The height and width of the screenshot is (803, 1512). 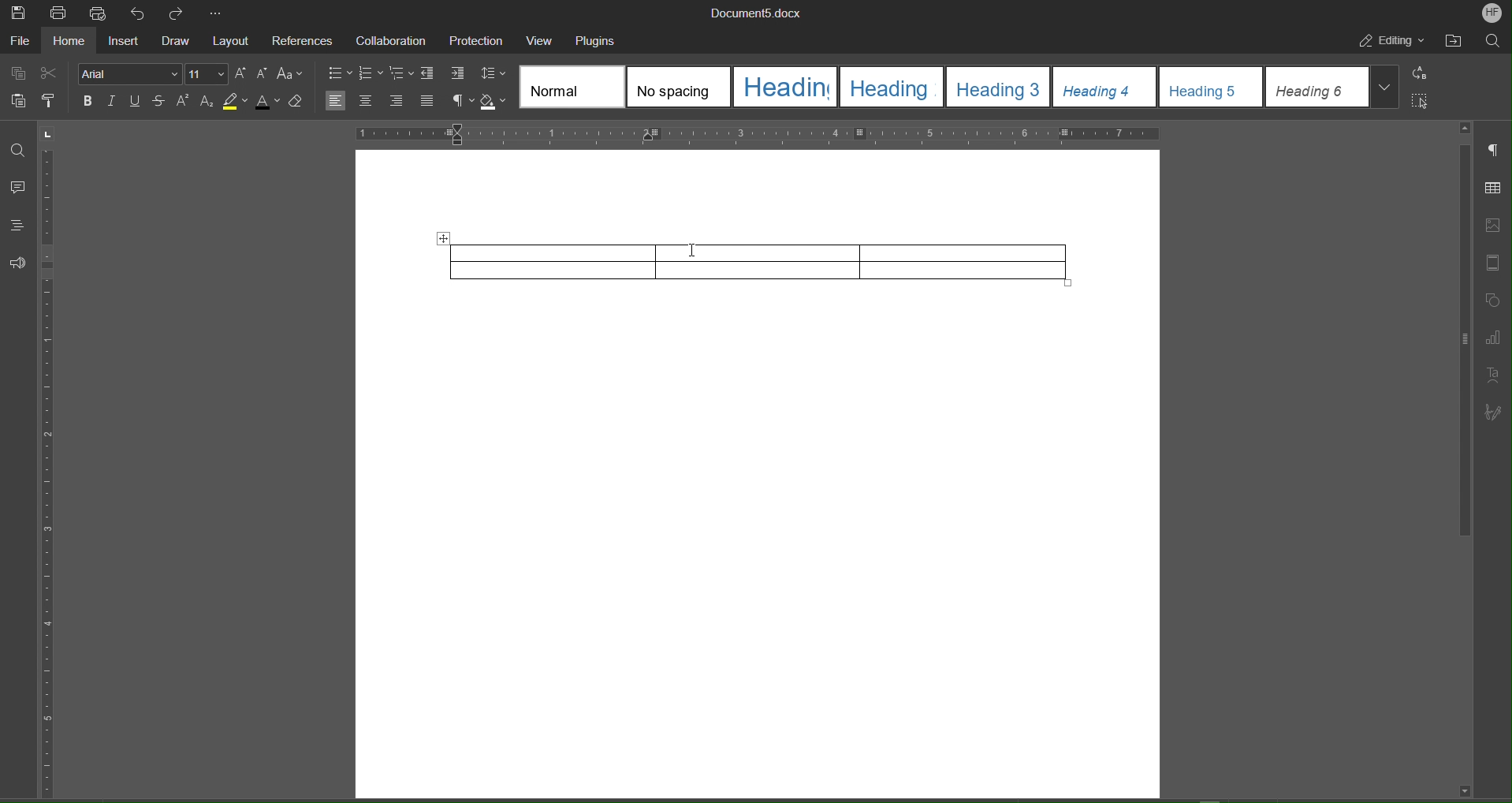 What do you see at coordinates (53, 103) in the screenshot?
I see `Copy Style` at bounding box center [53, 103].